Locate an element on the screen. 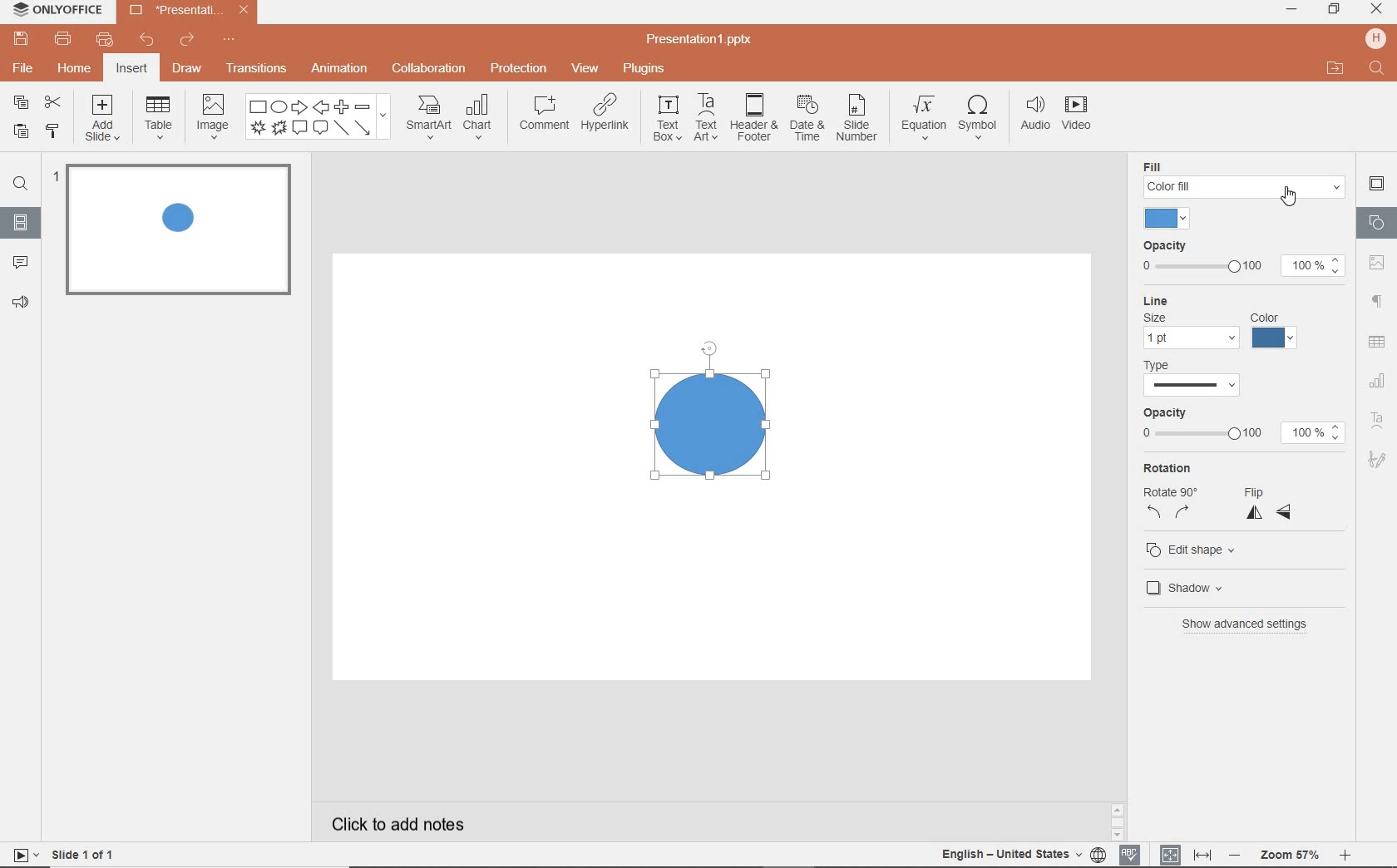 The height and width of the screenshot is (868, 1397). fill color is located at coordinates (1168, 219).